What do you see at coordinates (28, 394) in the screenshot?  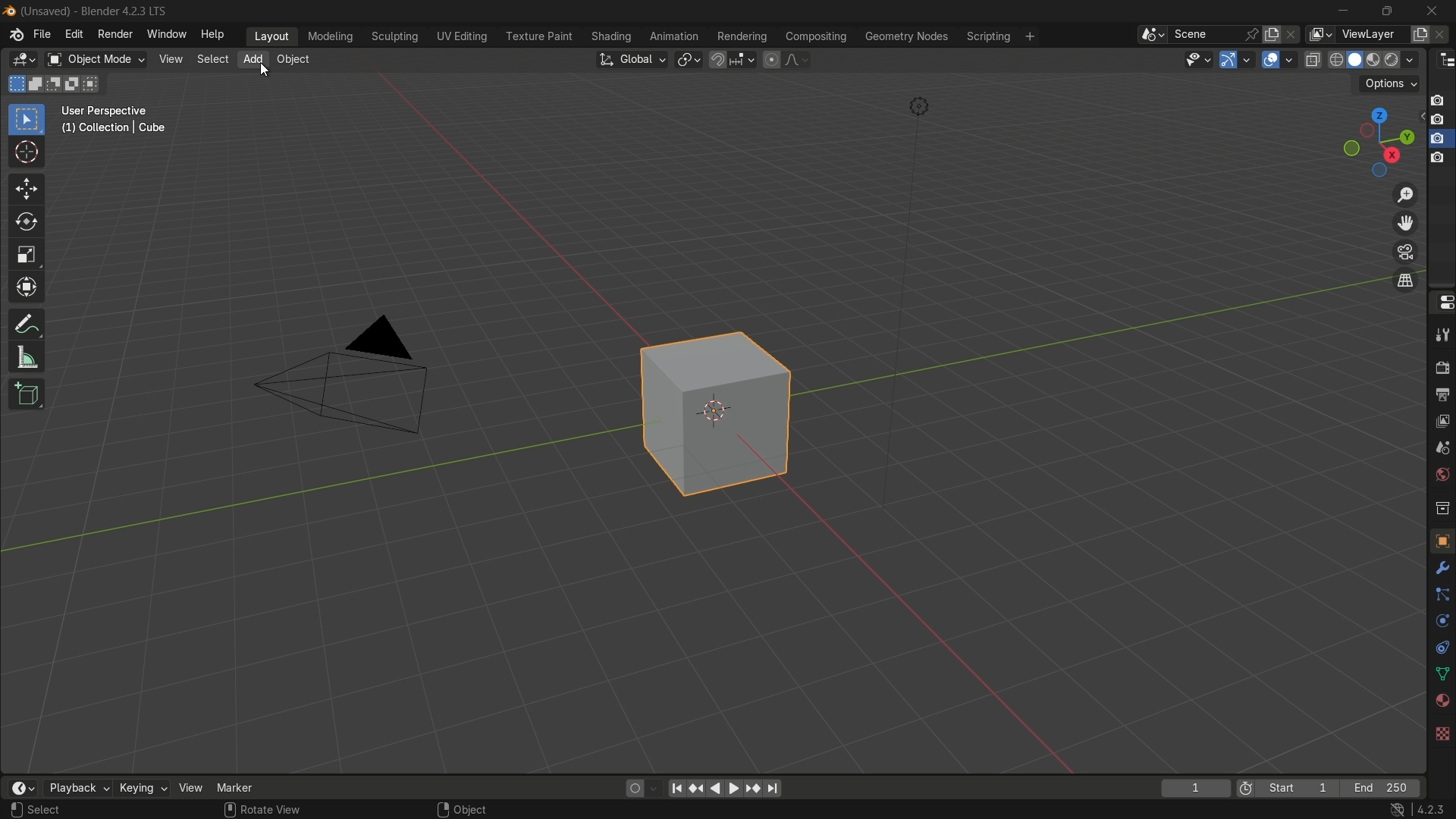 I see `add cube` at bounding box center [28, 394].